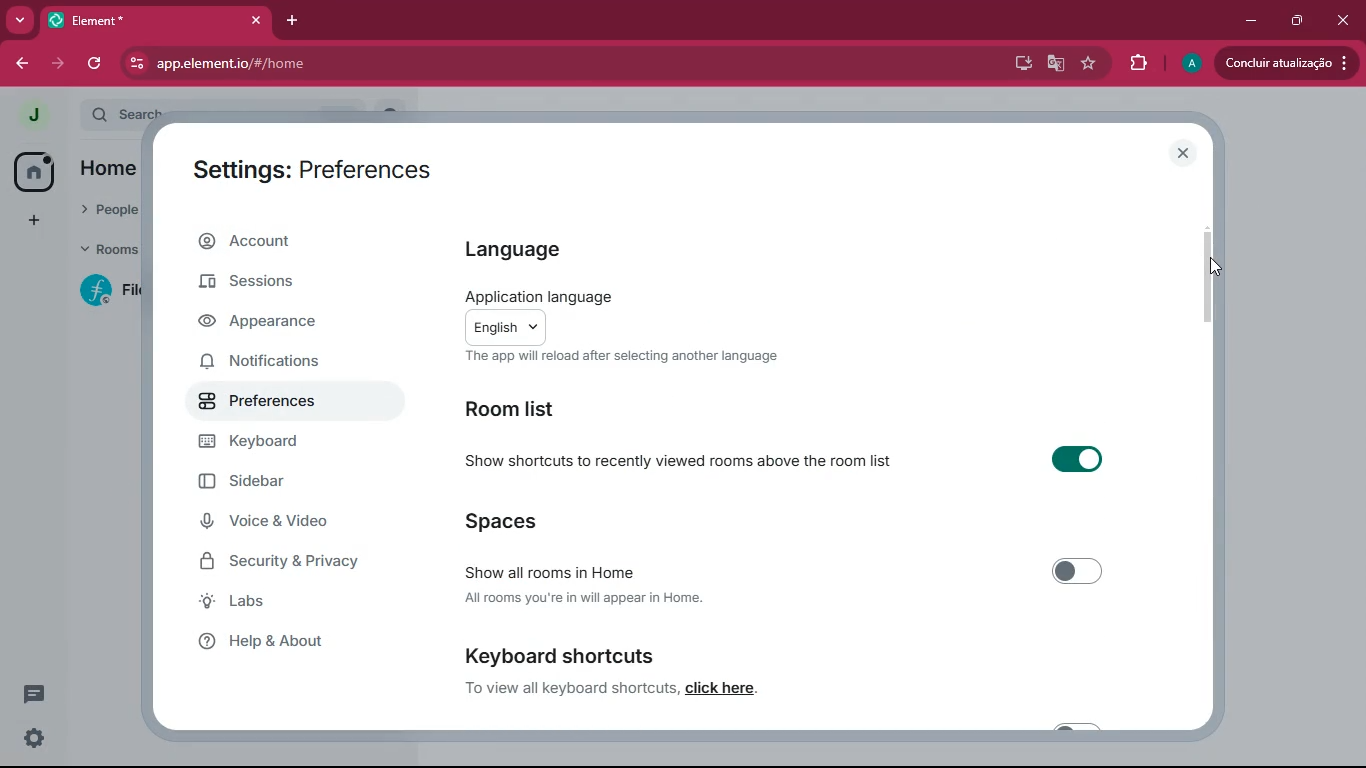 The height and width of the screenshot is (768, 1366). I want to click on sidebar, so click(260, 481).